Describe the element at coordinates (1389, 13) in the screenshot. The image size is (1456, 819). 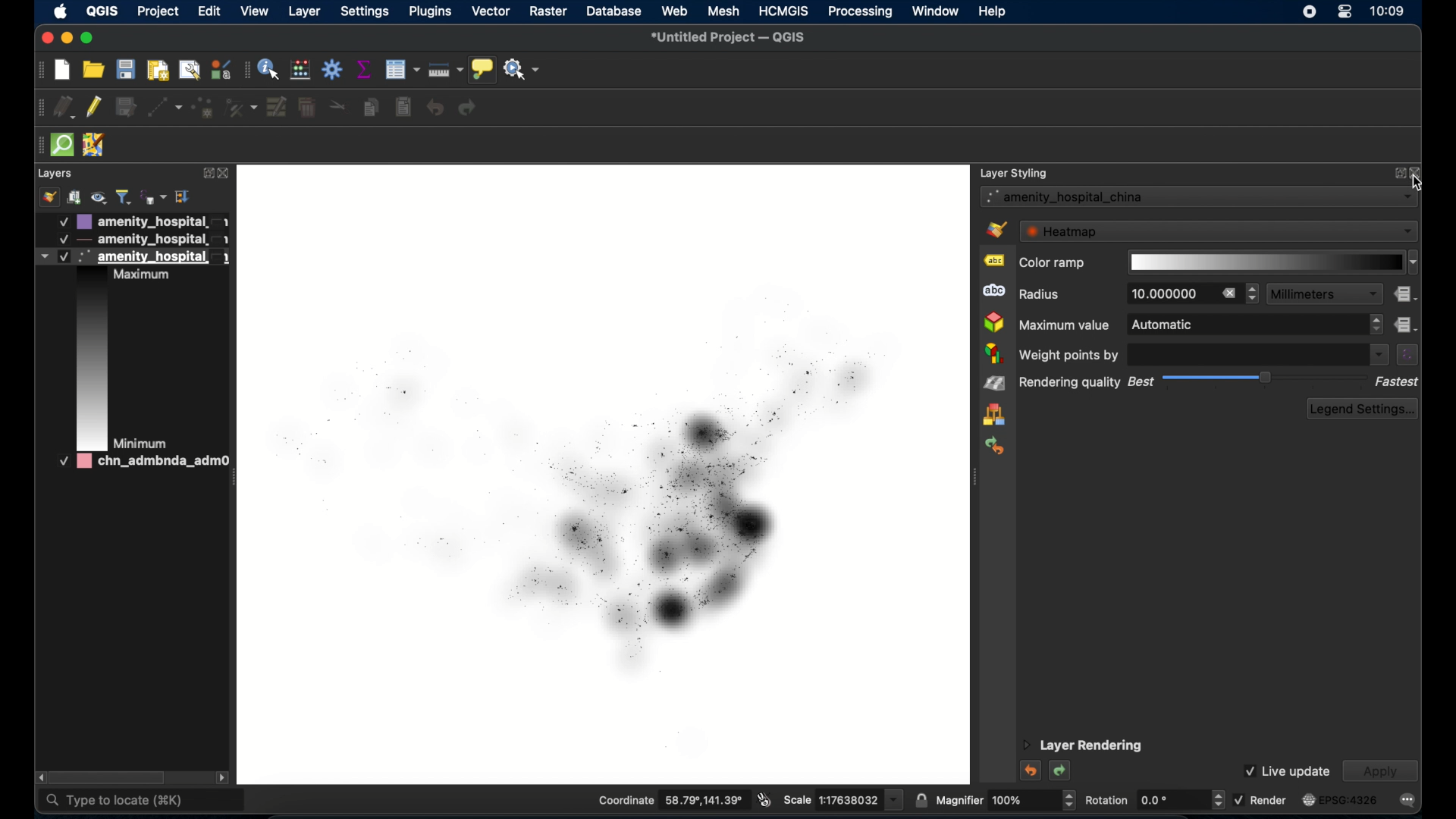
I see `time` at that location.